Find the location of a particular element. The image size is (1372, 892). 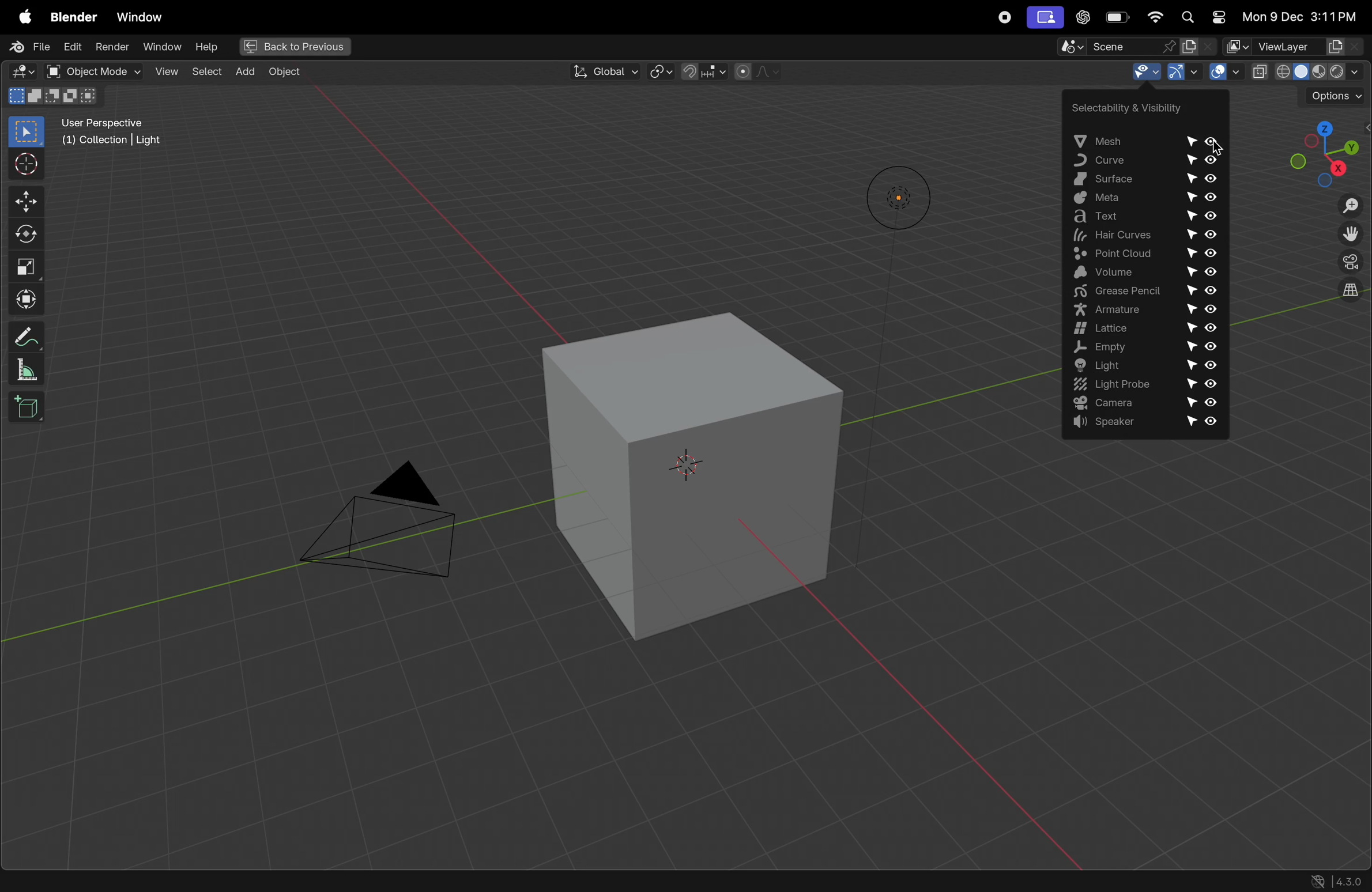

add is located at coordinates (244, 73).